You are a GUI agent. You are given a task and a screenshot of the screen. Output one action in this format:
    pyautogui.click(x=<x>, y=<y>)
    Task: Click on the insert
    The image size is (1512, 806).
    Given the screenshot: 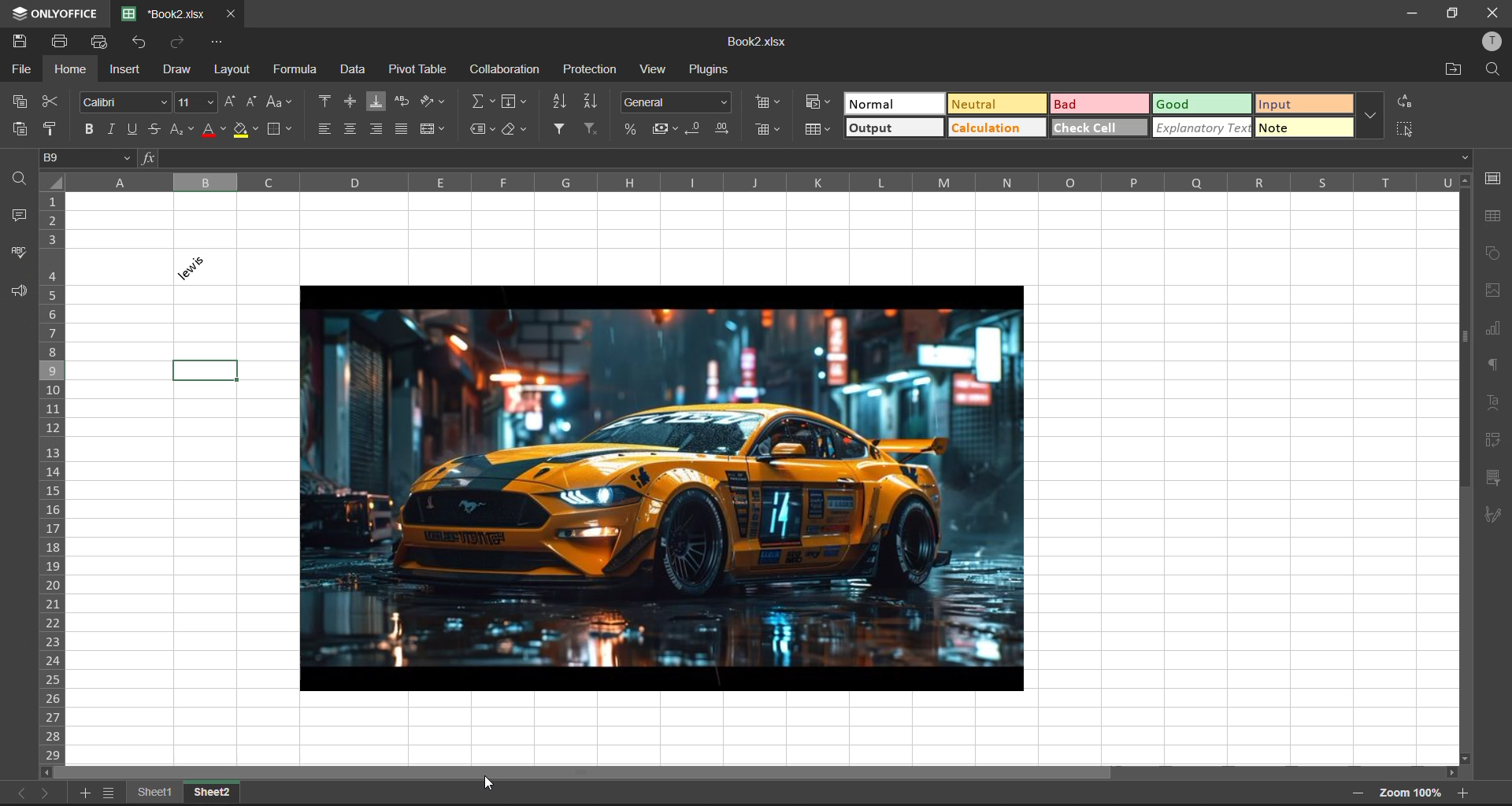 What is the action you would take?
    pyautogui.click(x=127, y=70)
    